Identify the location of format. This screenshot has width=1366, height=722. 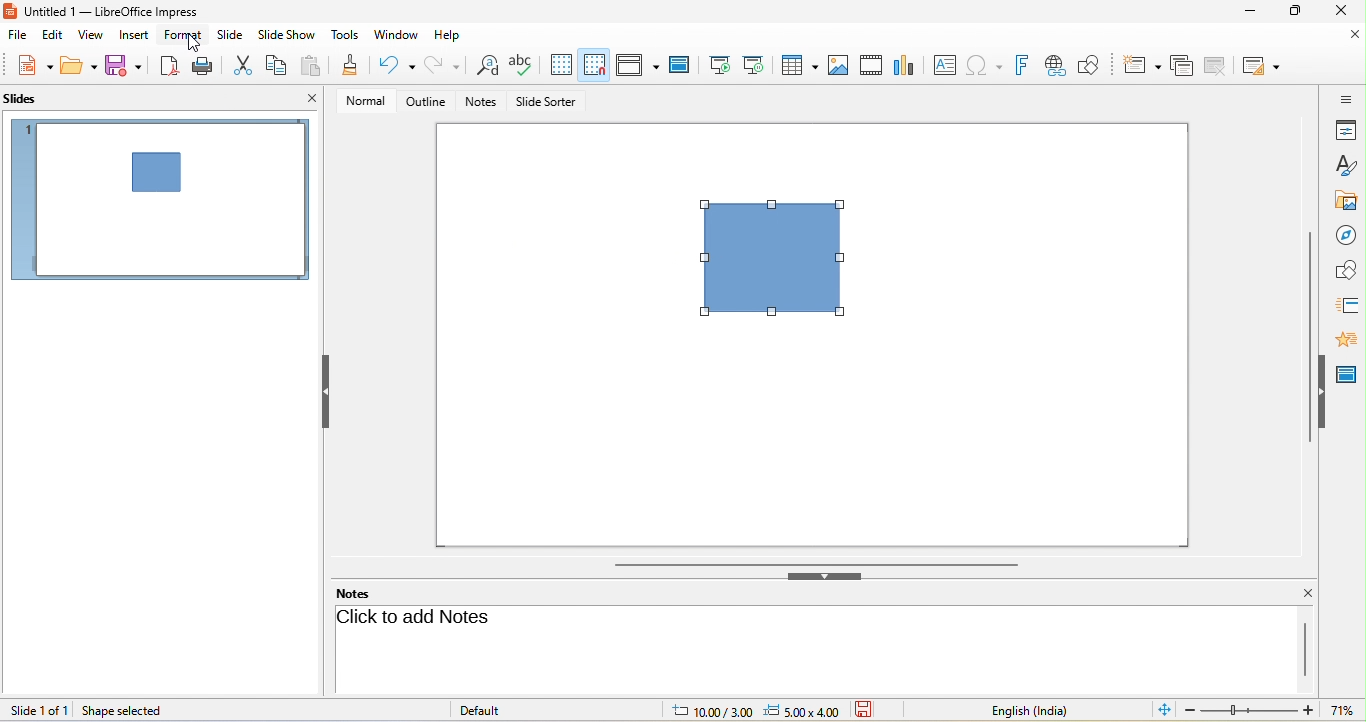
(186, 35).